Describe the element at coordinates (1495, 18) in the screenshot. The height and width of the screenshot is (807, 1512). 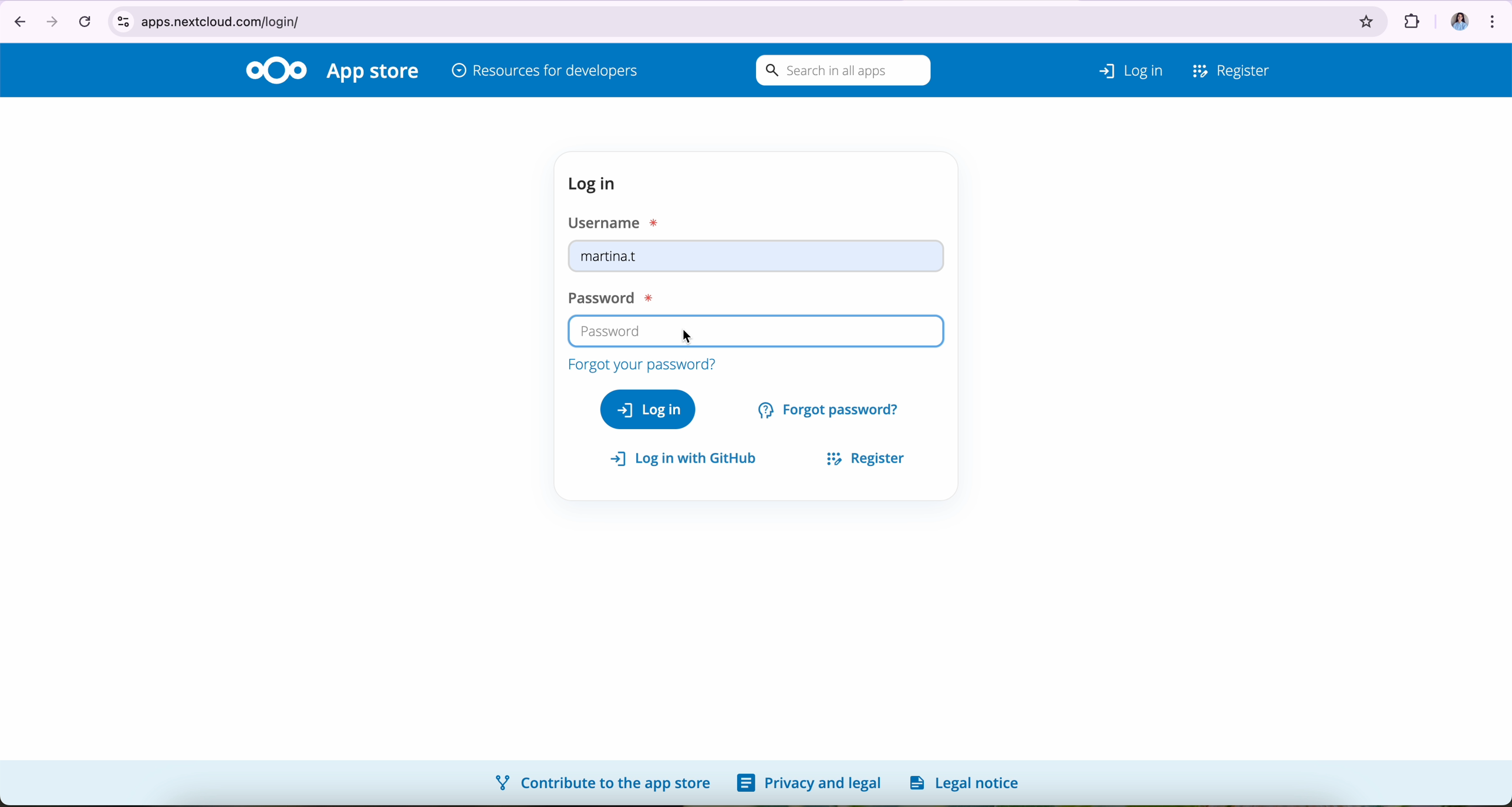
I see `more` at that location.